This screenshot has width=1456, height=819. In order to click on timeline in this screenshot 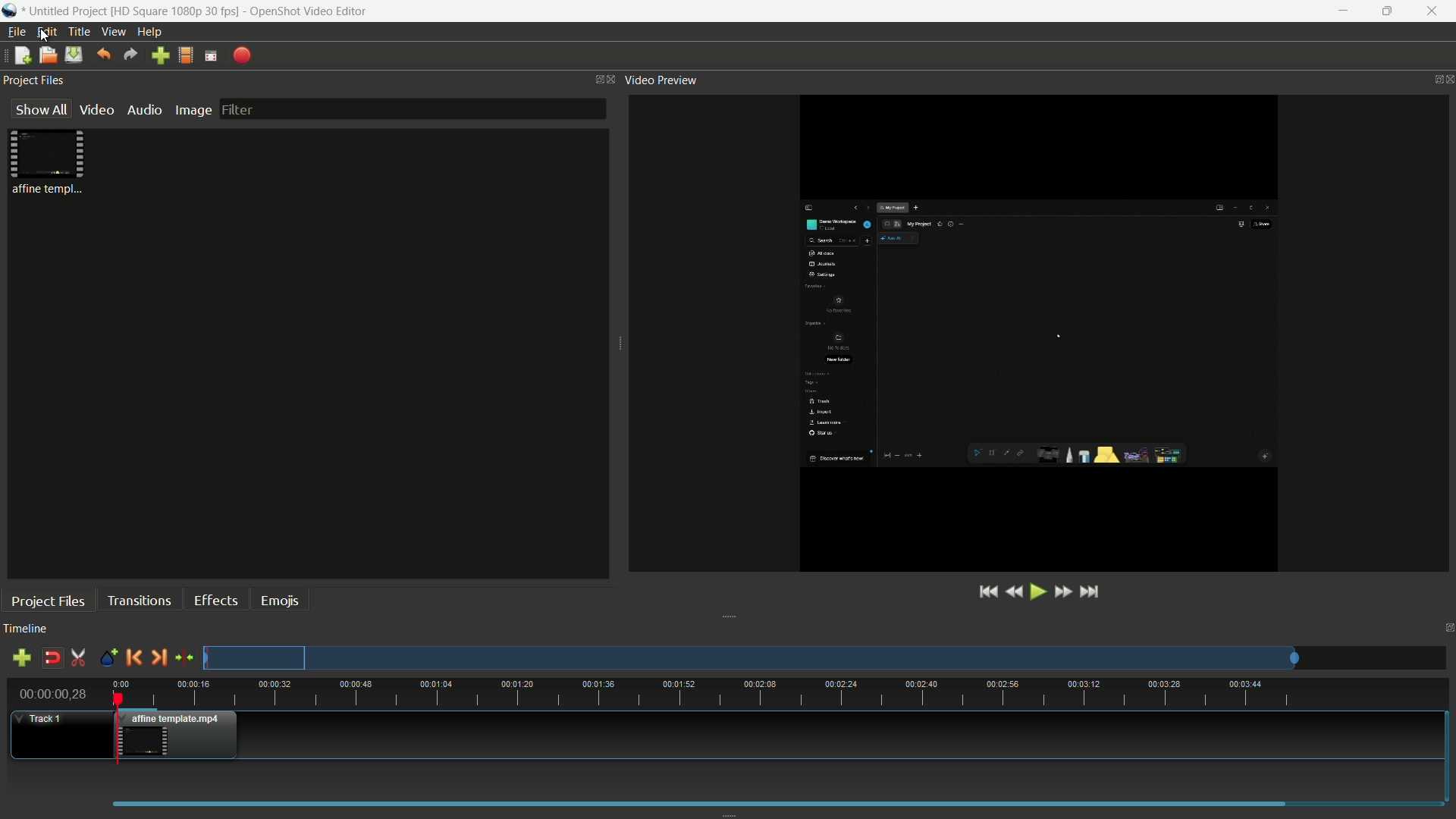, I will do `click(26, 629)`.